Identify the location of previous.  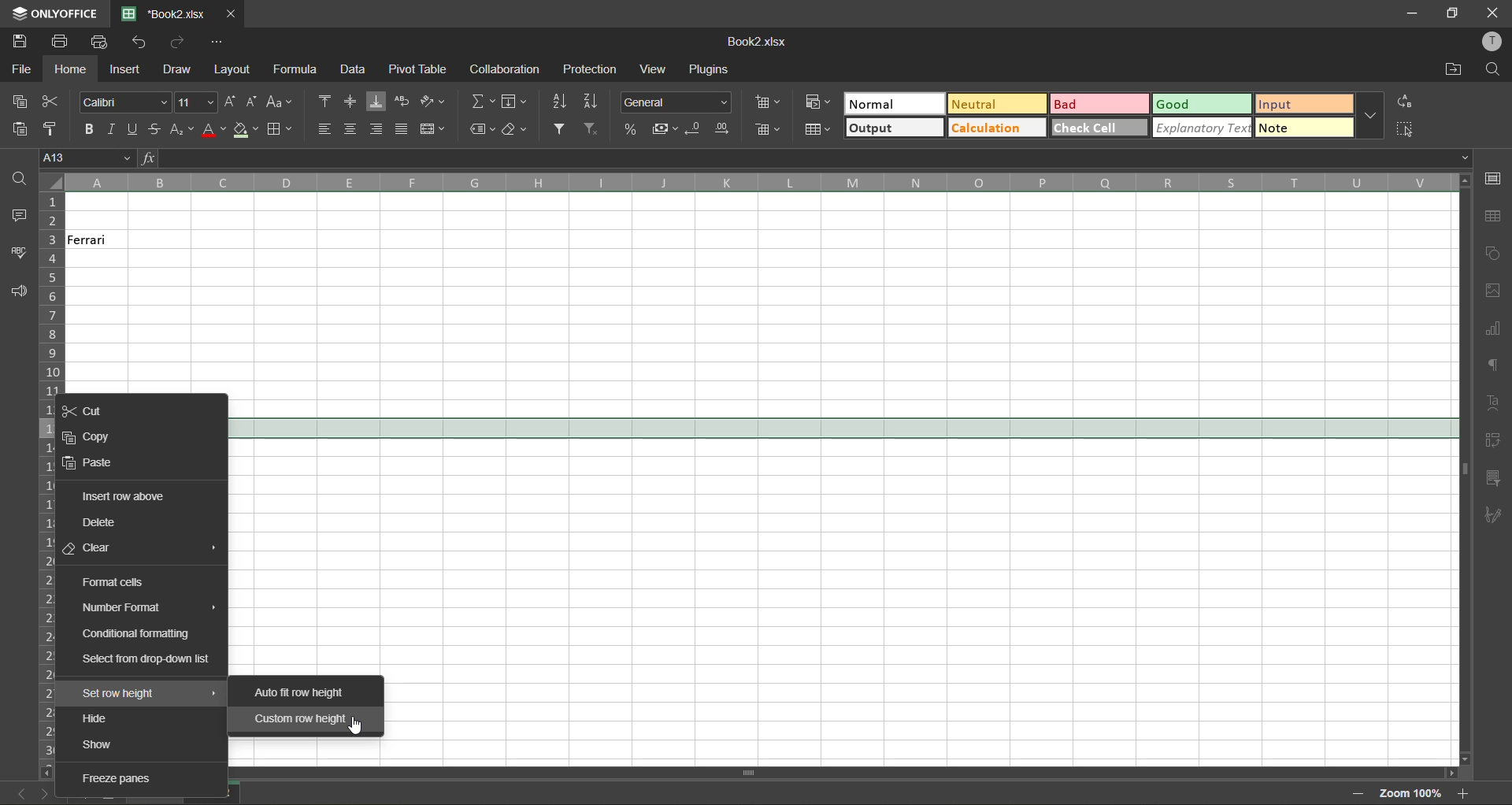
(16, 791).